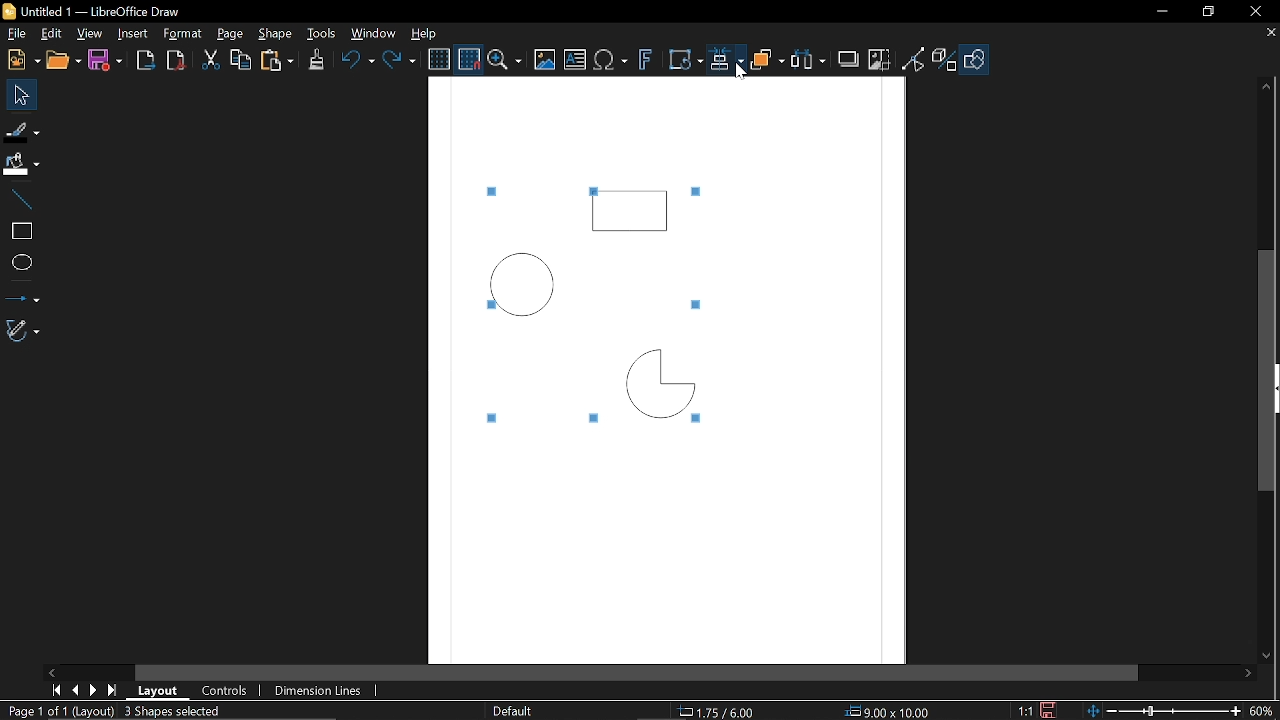  Describe the element at coordinates (72, 690) in the screenshot. I see `Previous page` at that location.